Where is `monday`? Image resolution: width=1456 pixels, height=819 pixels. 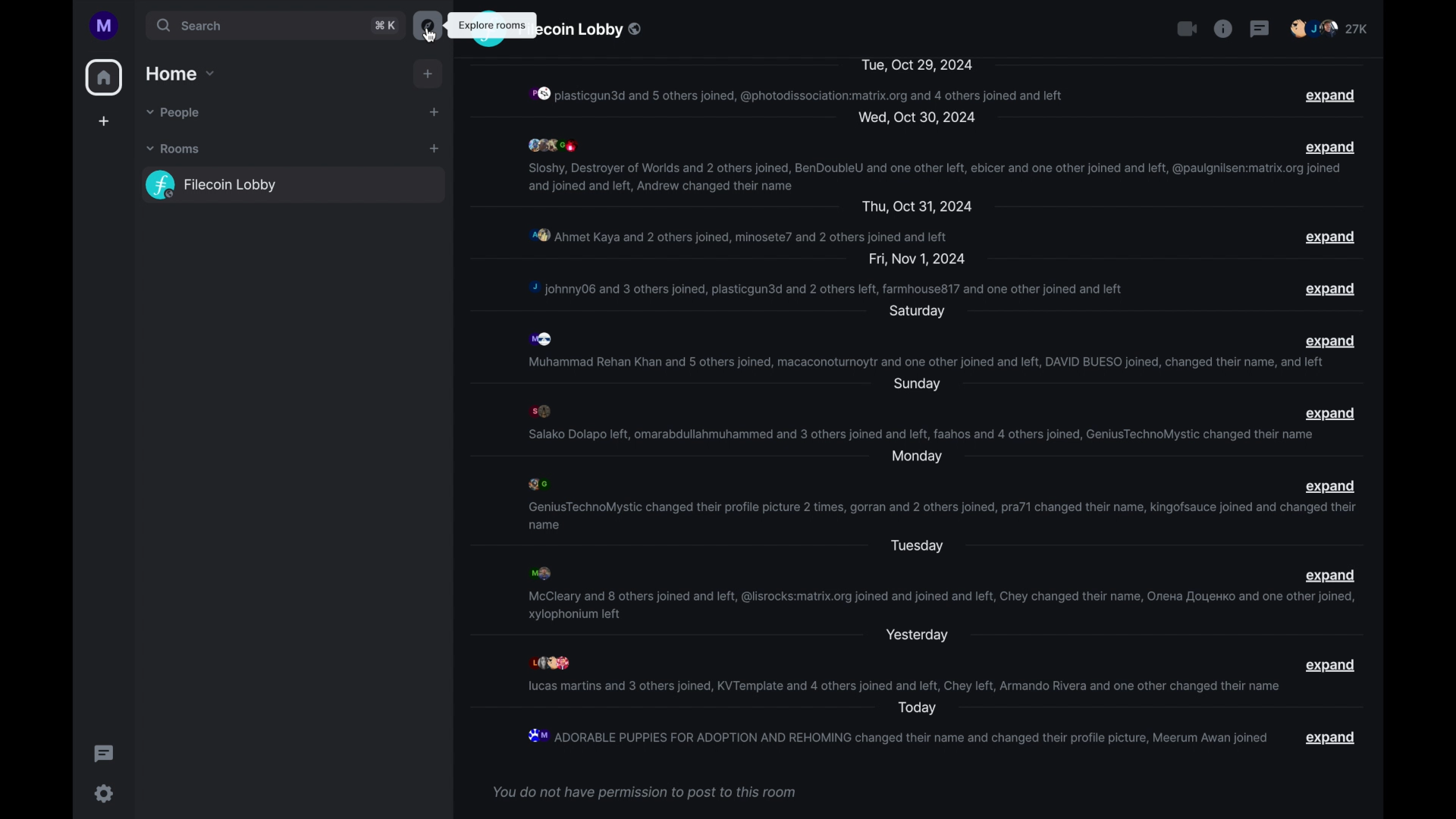
monday is located at coordinates (916, 457).